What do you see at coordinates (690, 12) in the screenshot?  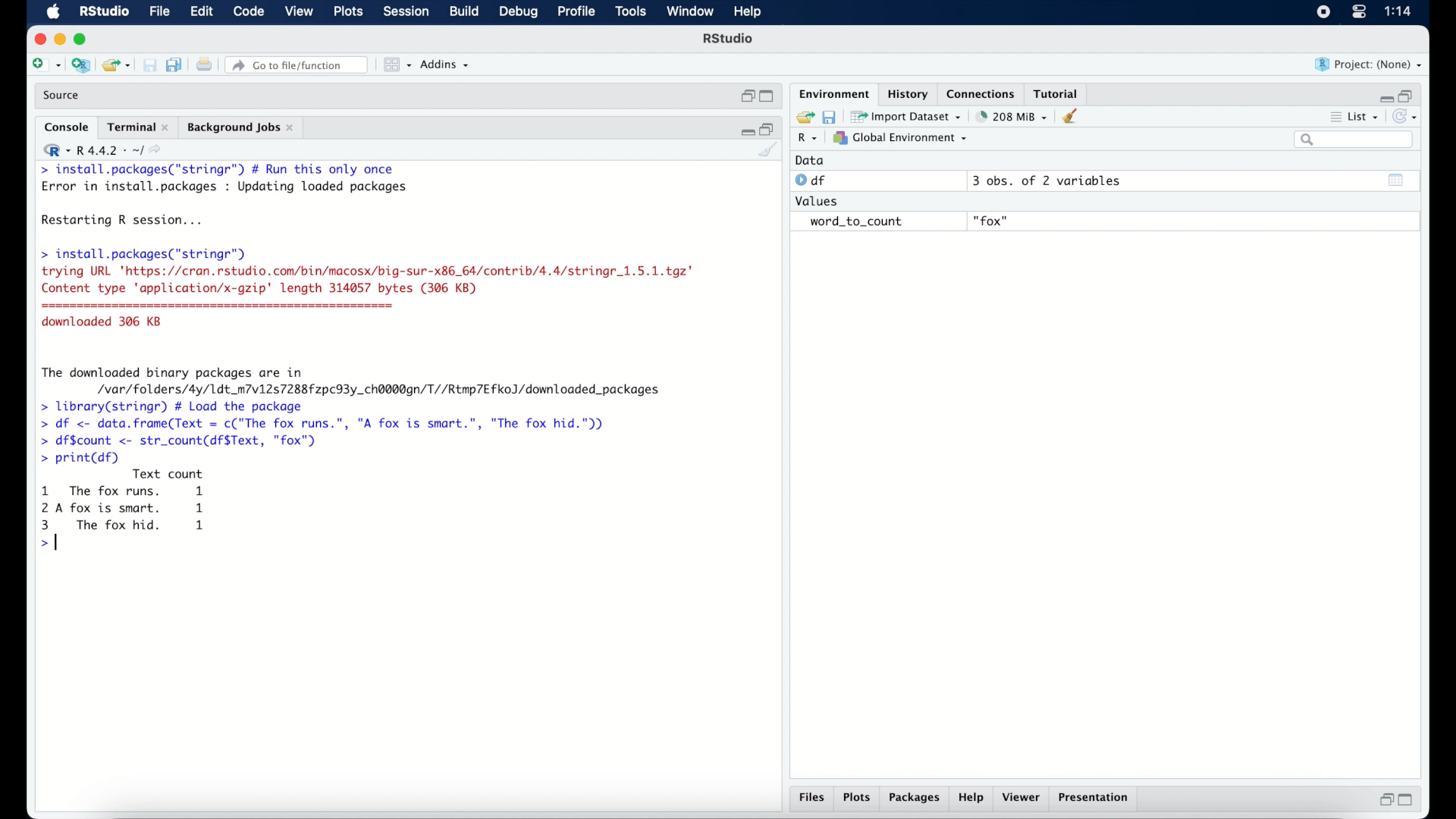 I see `window` at bounding box center [690, 12].